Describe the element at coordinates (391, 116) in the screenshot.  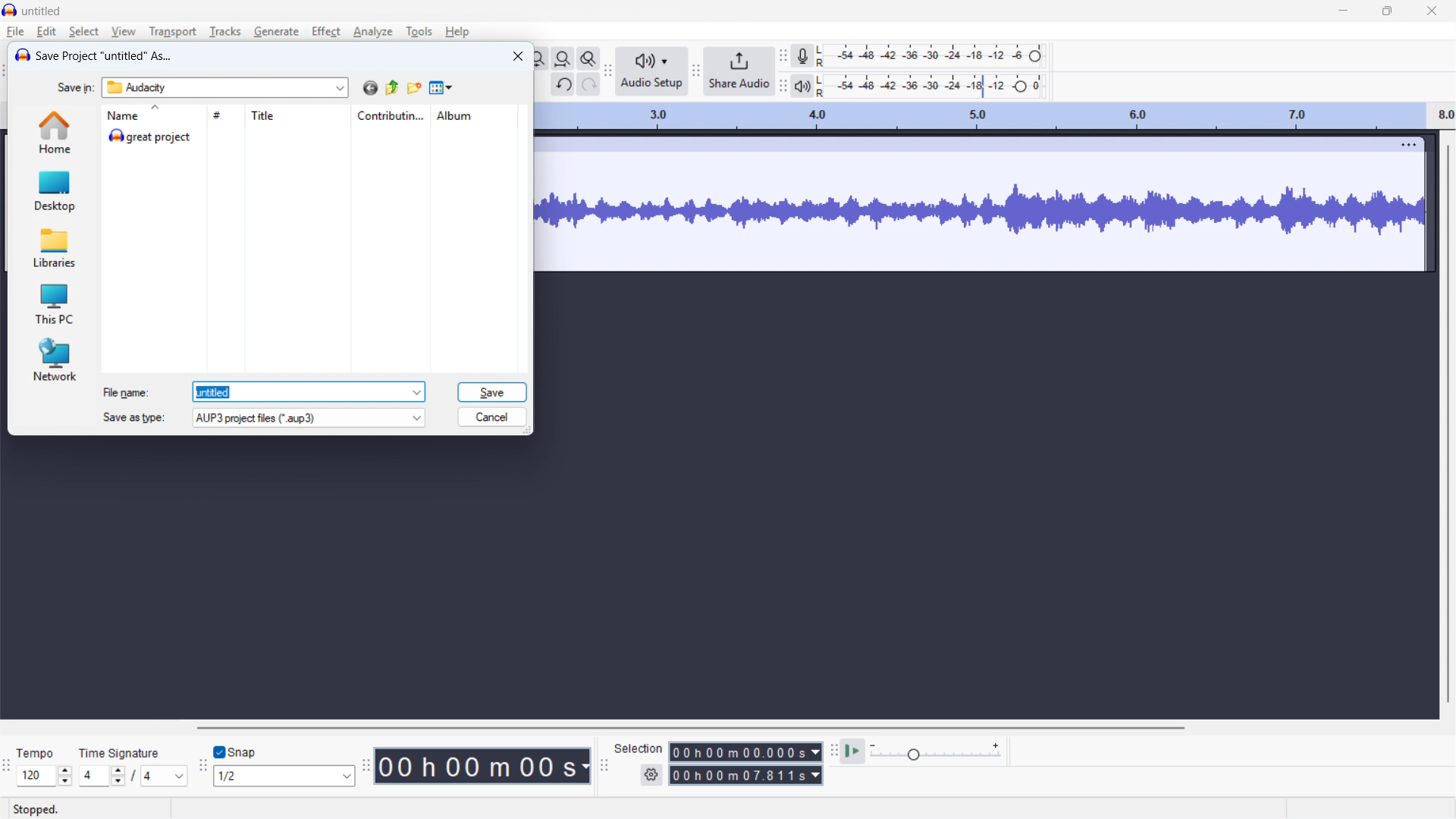
I see `contributors` at that location.